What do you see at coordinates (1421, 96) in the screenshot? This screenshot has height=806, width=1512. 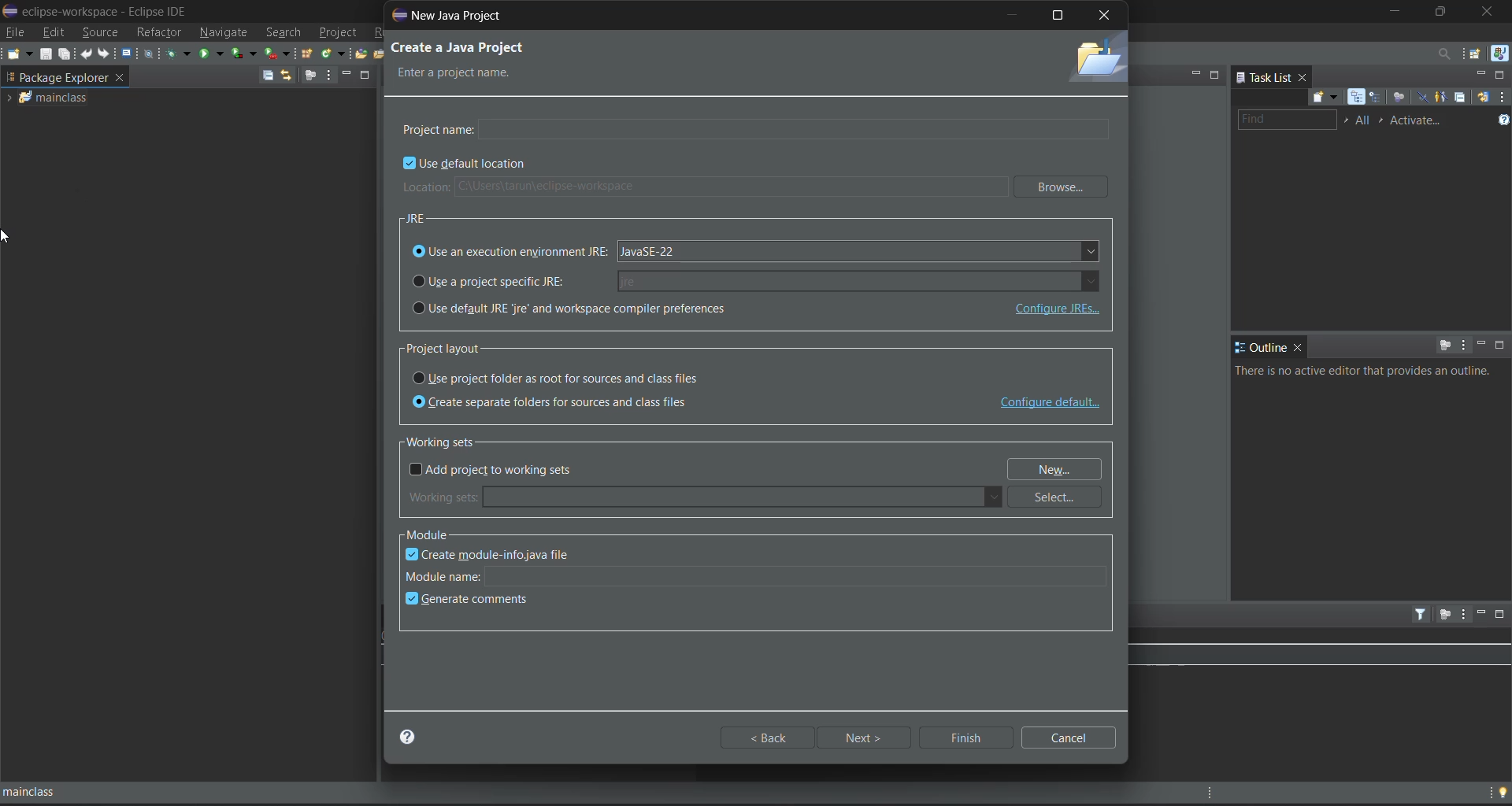 I see `hide completed tasks` at bounding box center [1421, 96].